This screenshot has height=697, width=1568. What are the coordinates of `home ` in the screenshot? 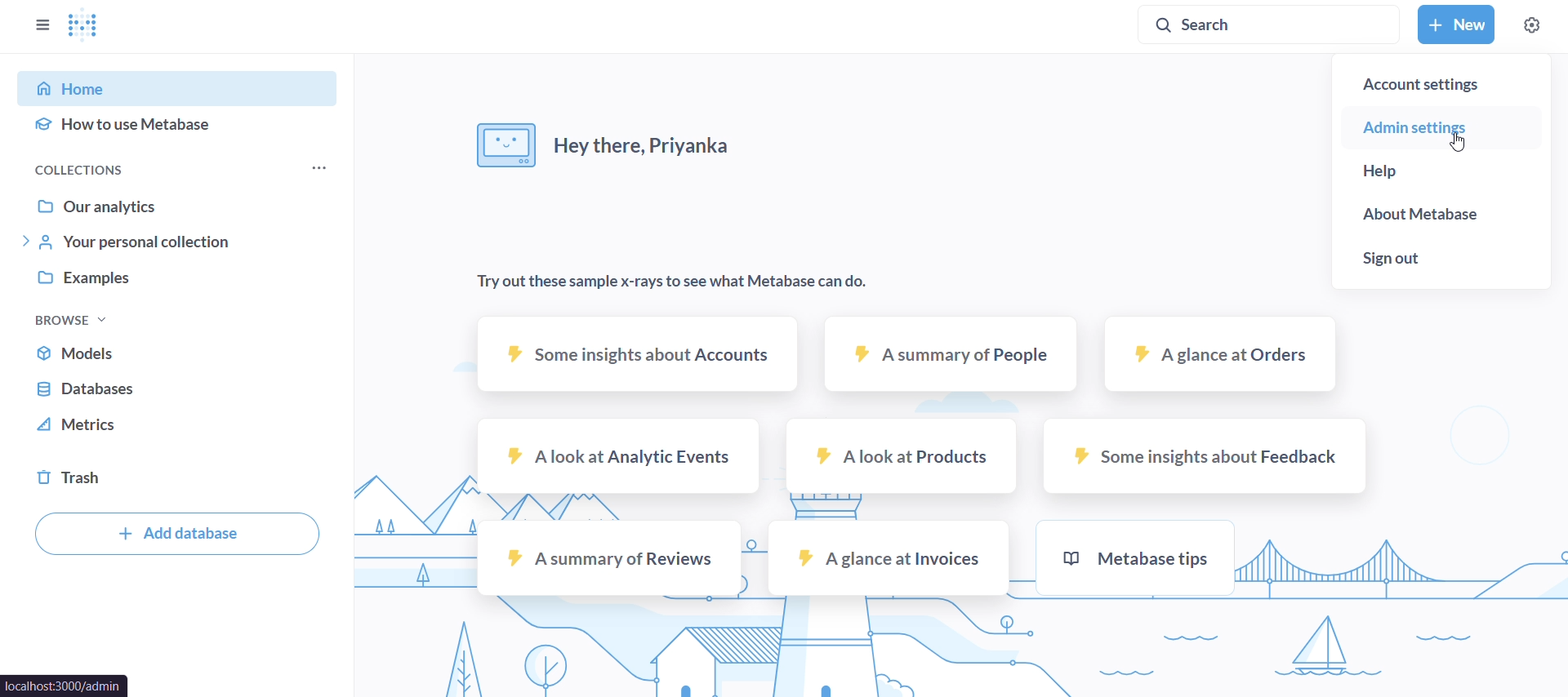 It's located at (183, 87).